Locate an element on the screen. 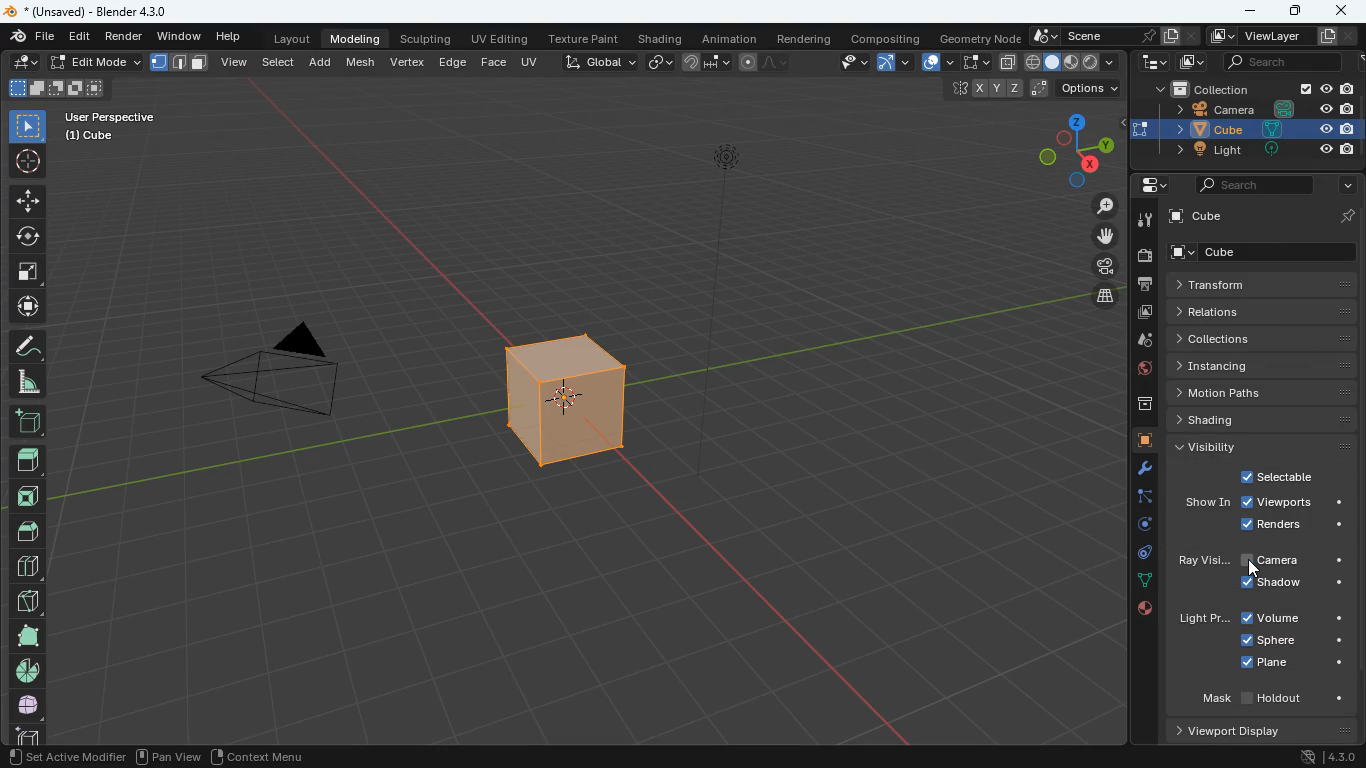  renders is located at coordinates (1295, 526).